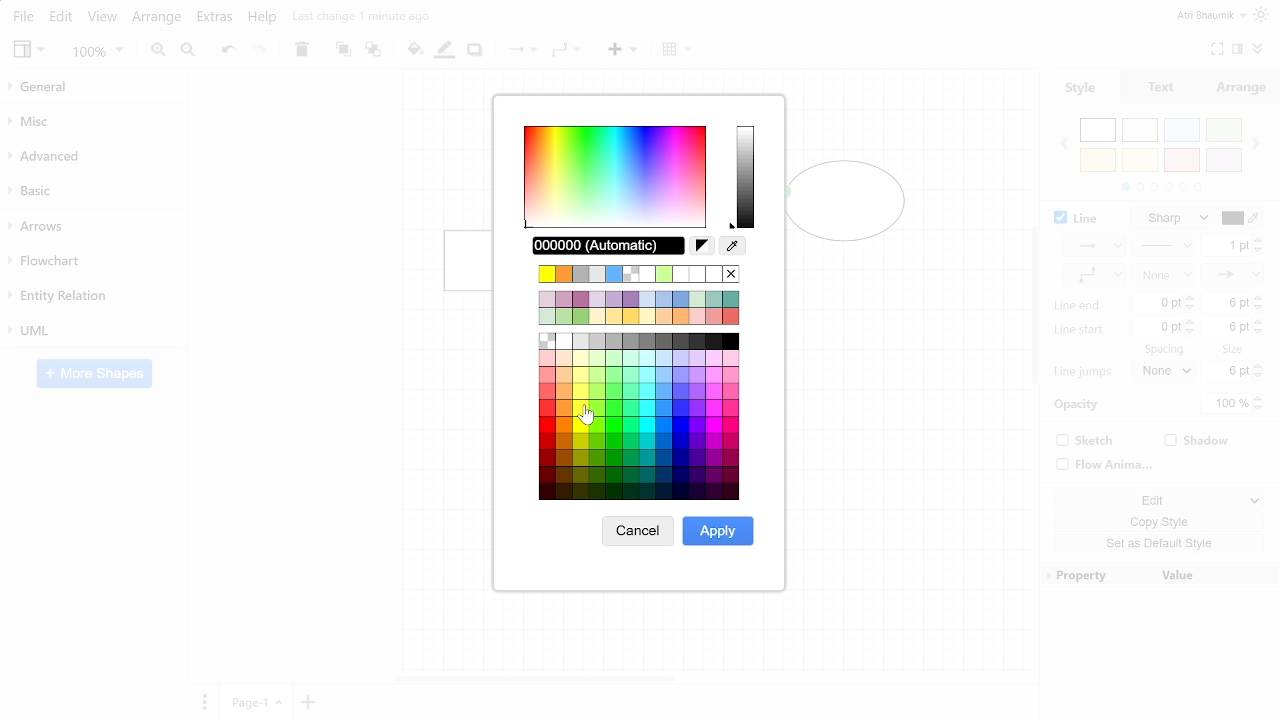 This screenshot has width=1280, height=720. I want to click on Reset, so click(703, 246).